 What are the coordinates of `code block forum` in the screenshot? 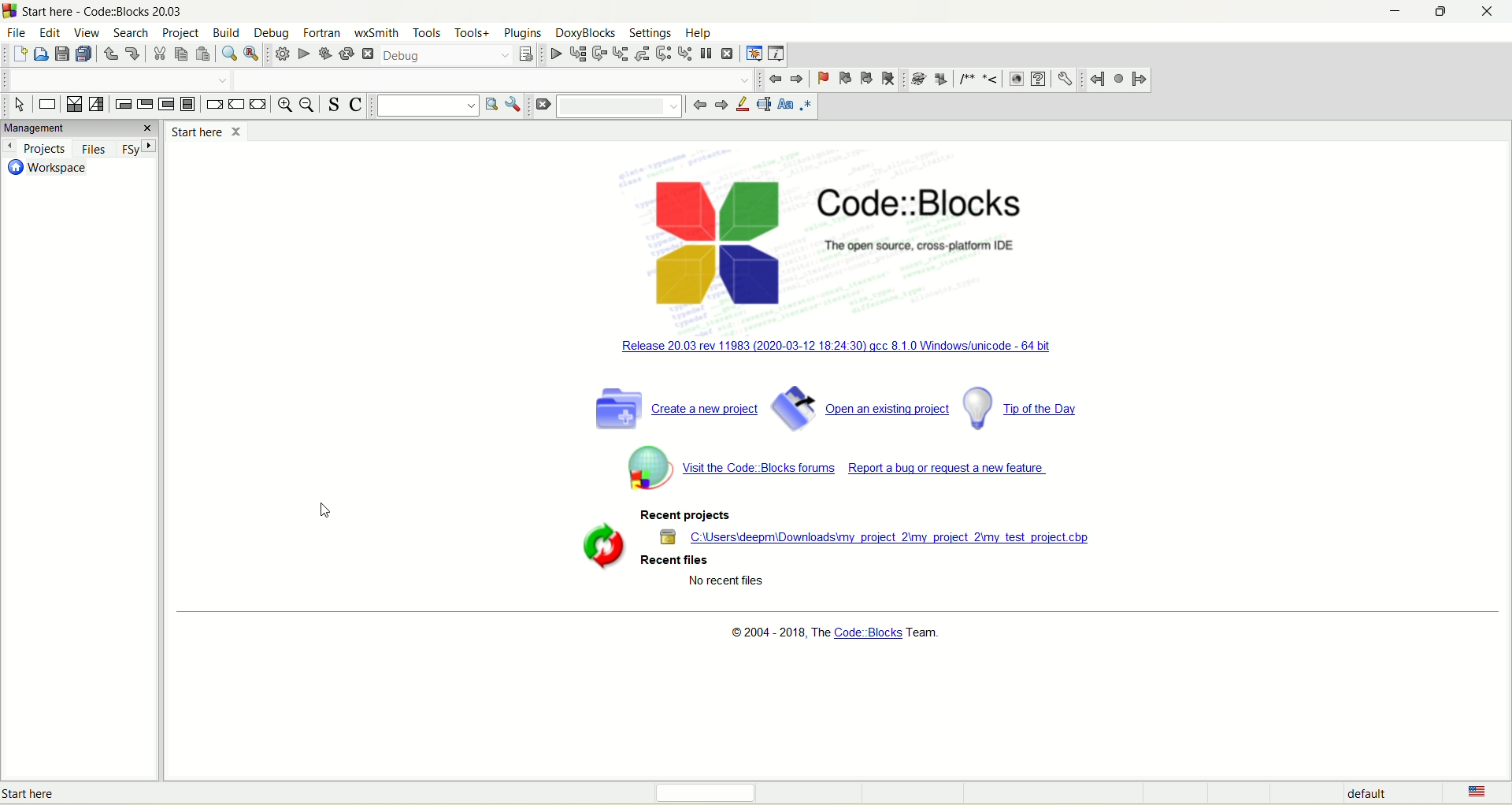 It's located at (724, 466).